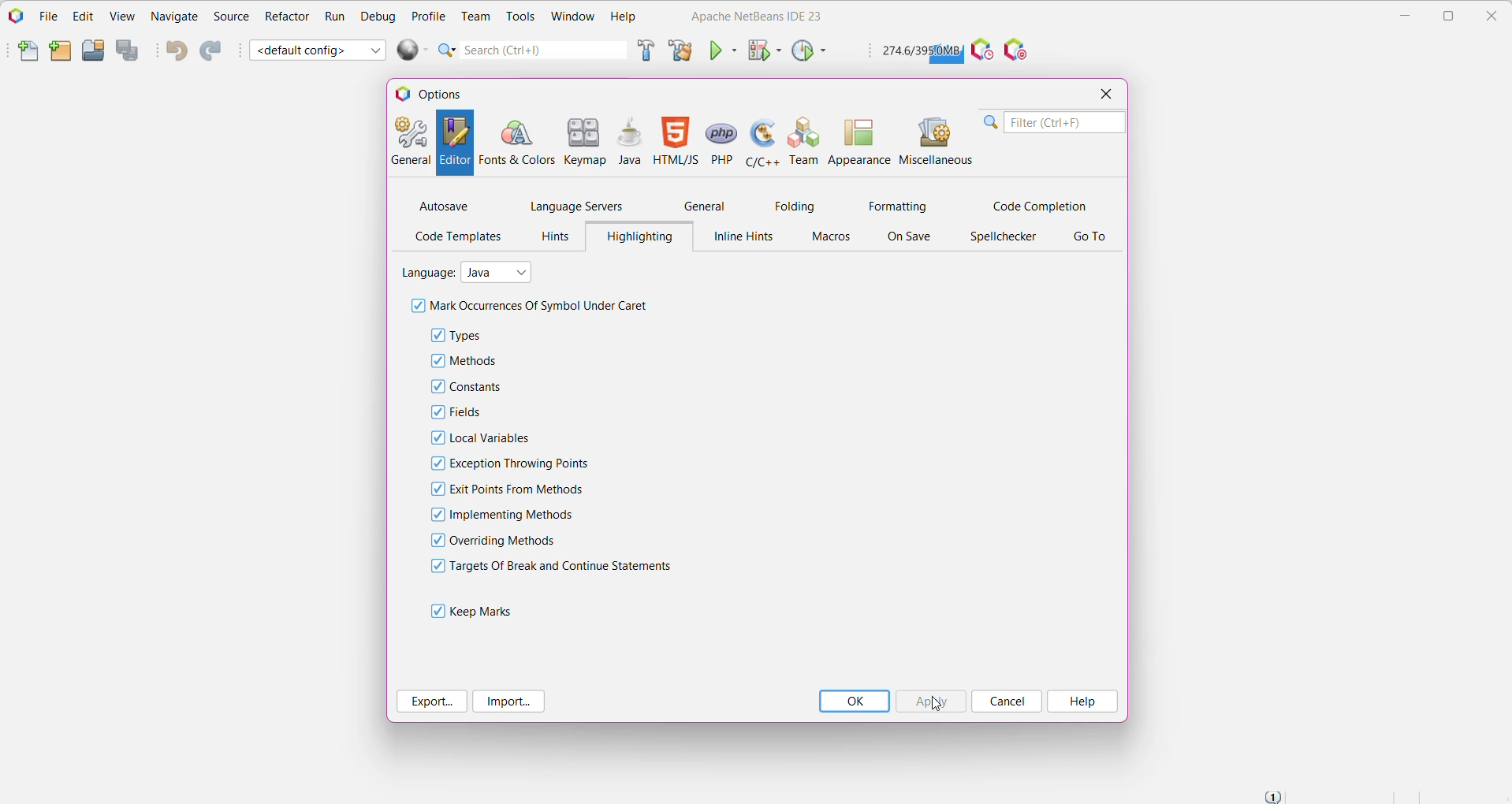 The height and width of the screenshot is (804, 1512). Describe the element at coordinates (763, 50) in the screenshot. I see `Debug Project` at that location.